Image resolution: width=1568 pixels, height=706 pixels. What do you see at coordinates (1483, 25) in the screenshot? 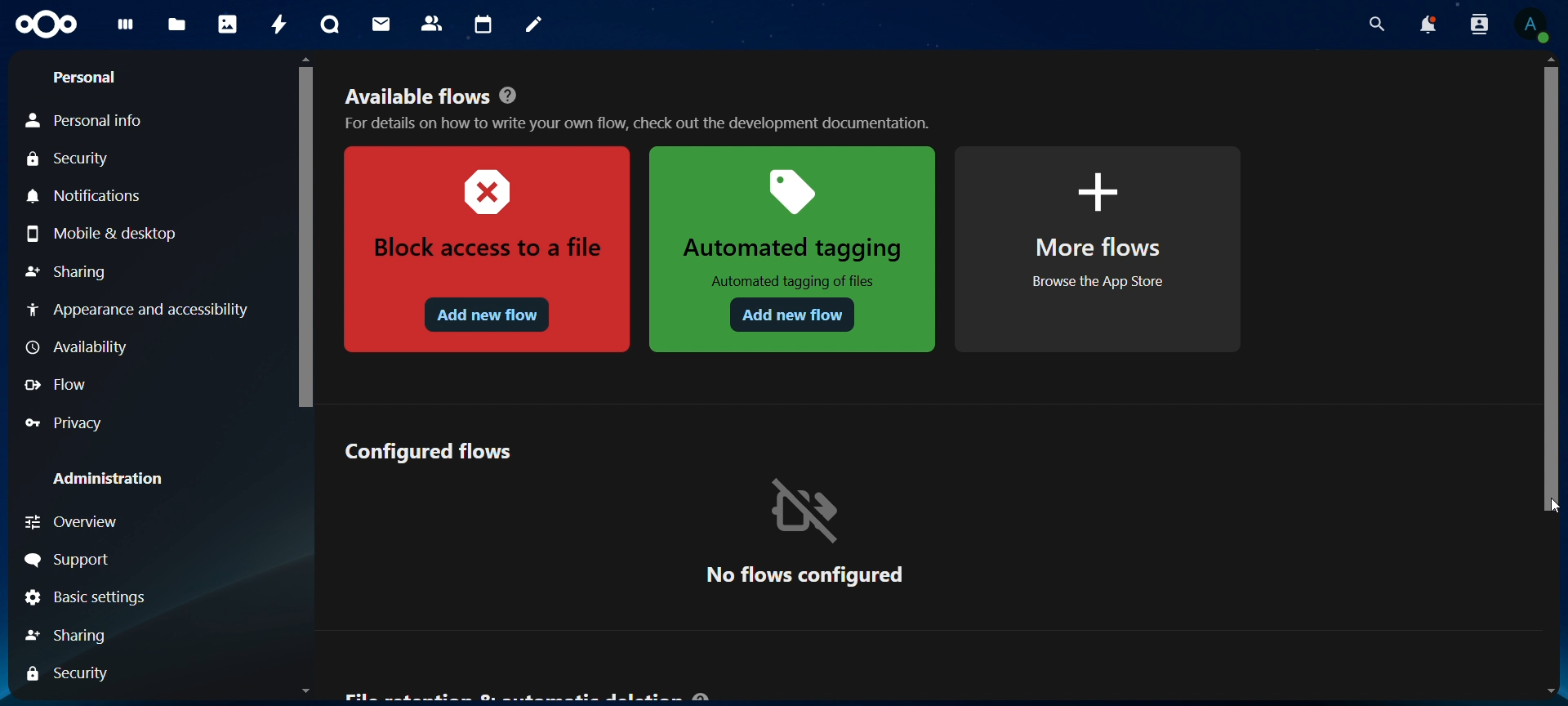
I see `search contacts` at bounding box center [1483, 25].